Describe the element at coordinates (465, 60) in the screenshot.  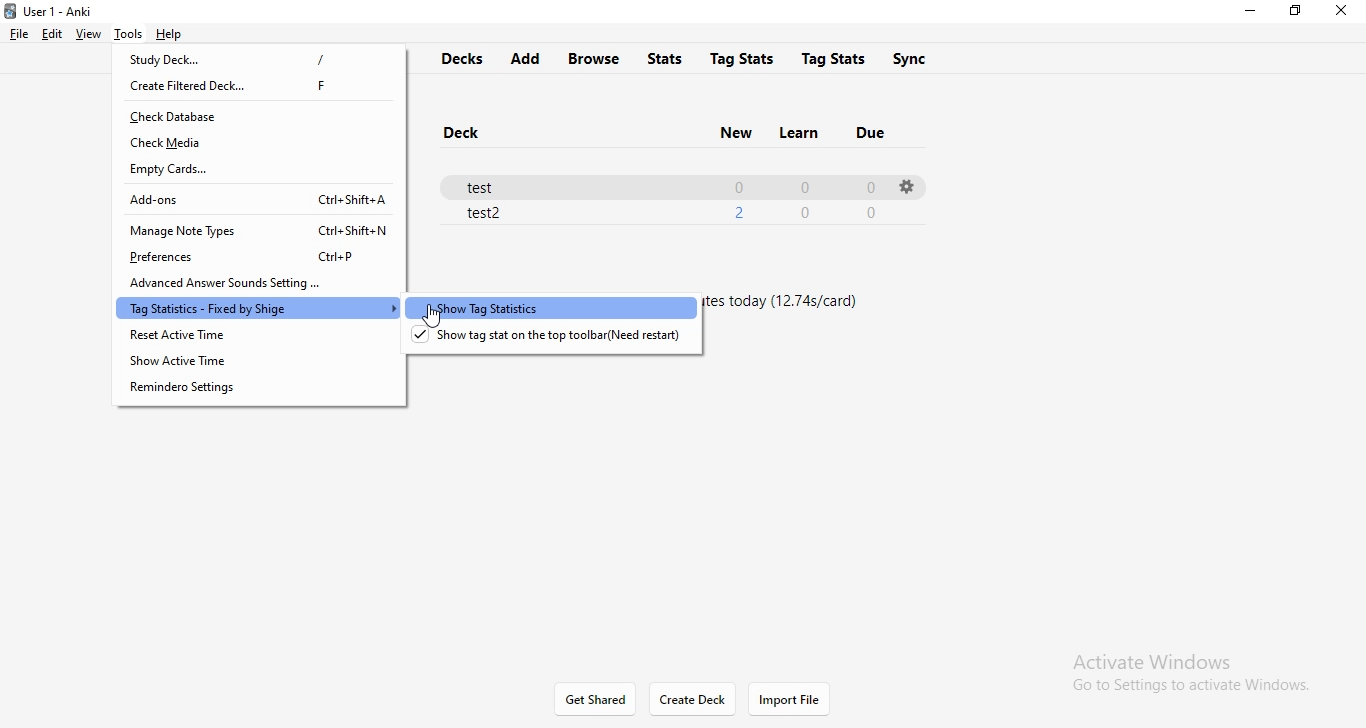
I see `decks` at that location.